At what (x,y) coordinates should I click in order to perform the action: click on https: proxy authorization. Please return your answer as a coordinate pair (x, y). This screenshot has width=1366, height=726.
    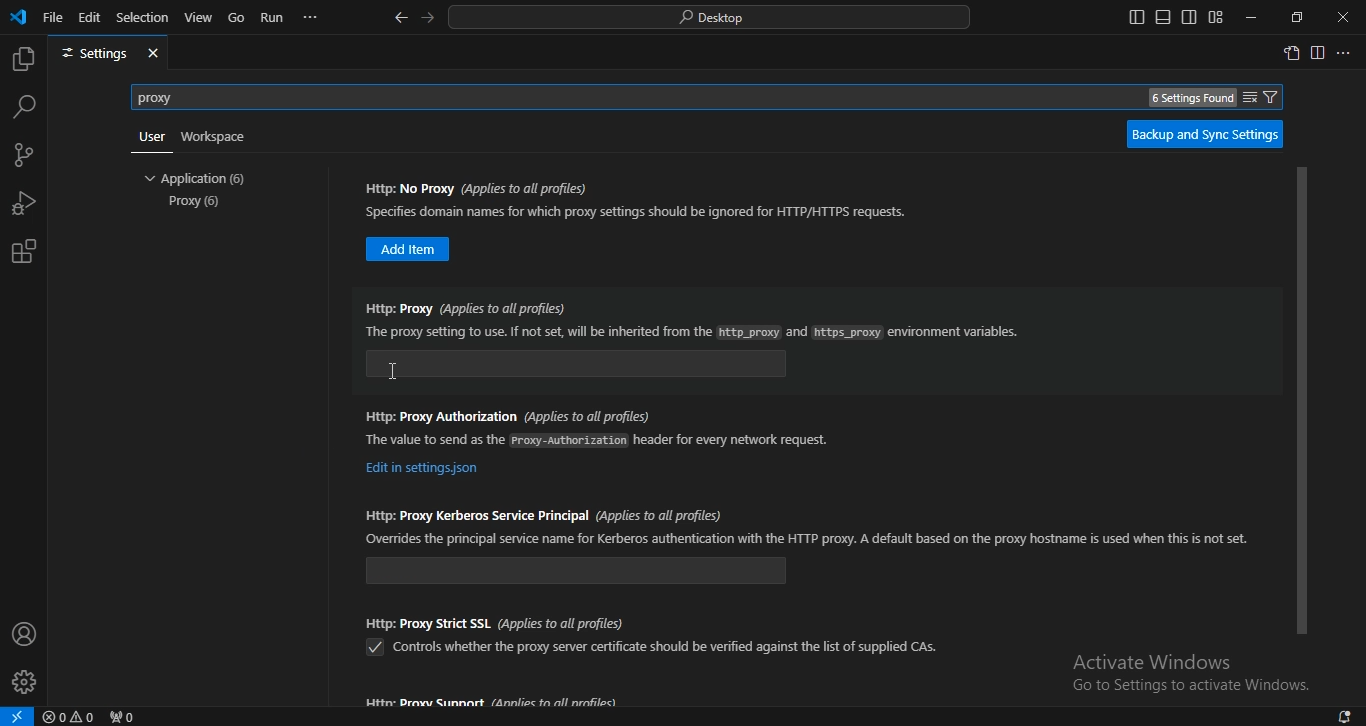
    Looking at the image, I should click on (507, 415).